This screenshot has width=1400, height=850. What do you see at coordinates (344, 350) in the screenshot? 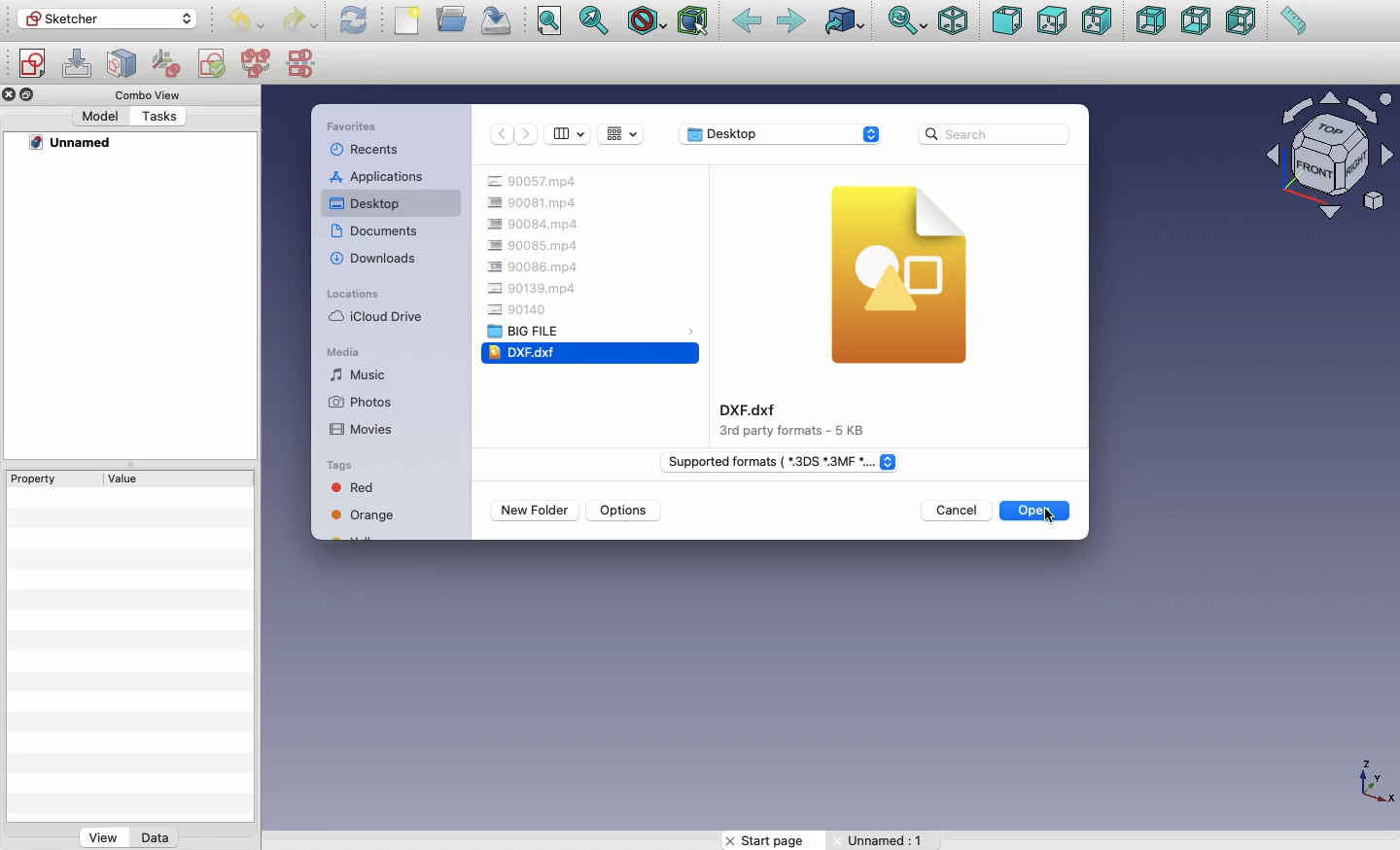
I see `Media` at bounding box center [344, 350].